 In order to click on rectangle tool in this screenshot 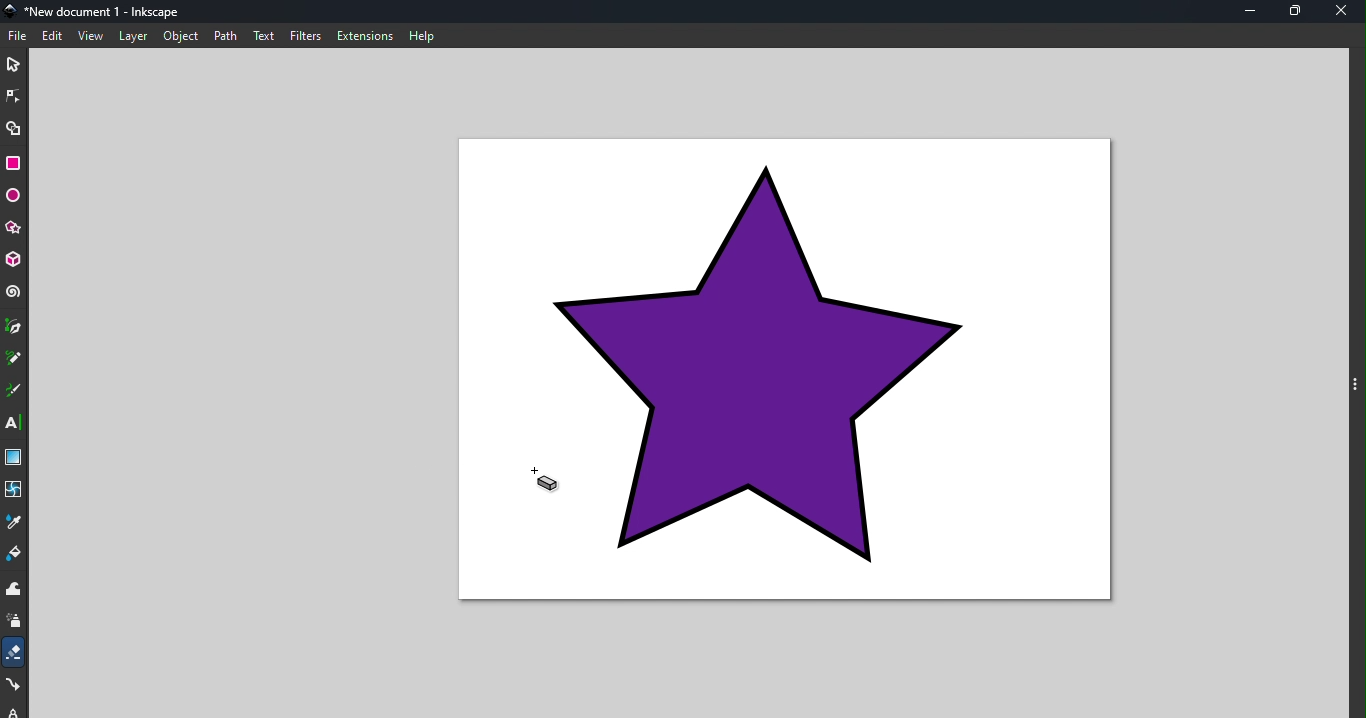, I will do `click(14, 162)`.